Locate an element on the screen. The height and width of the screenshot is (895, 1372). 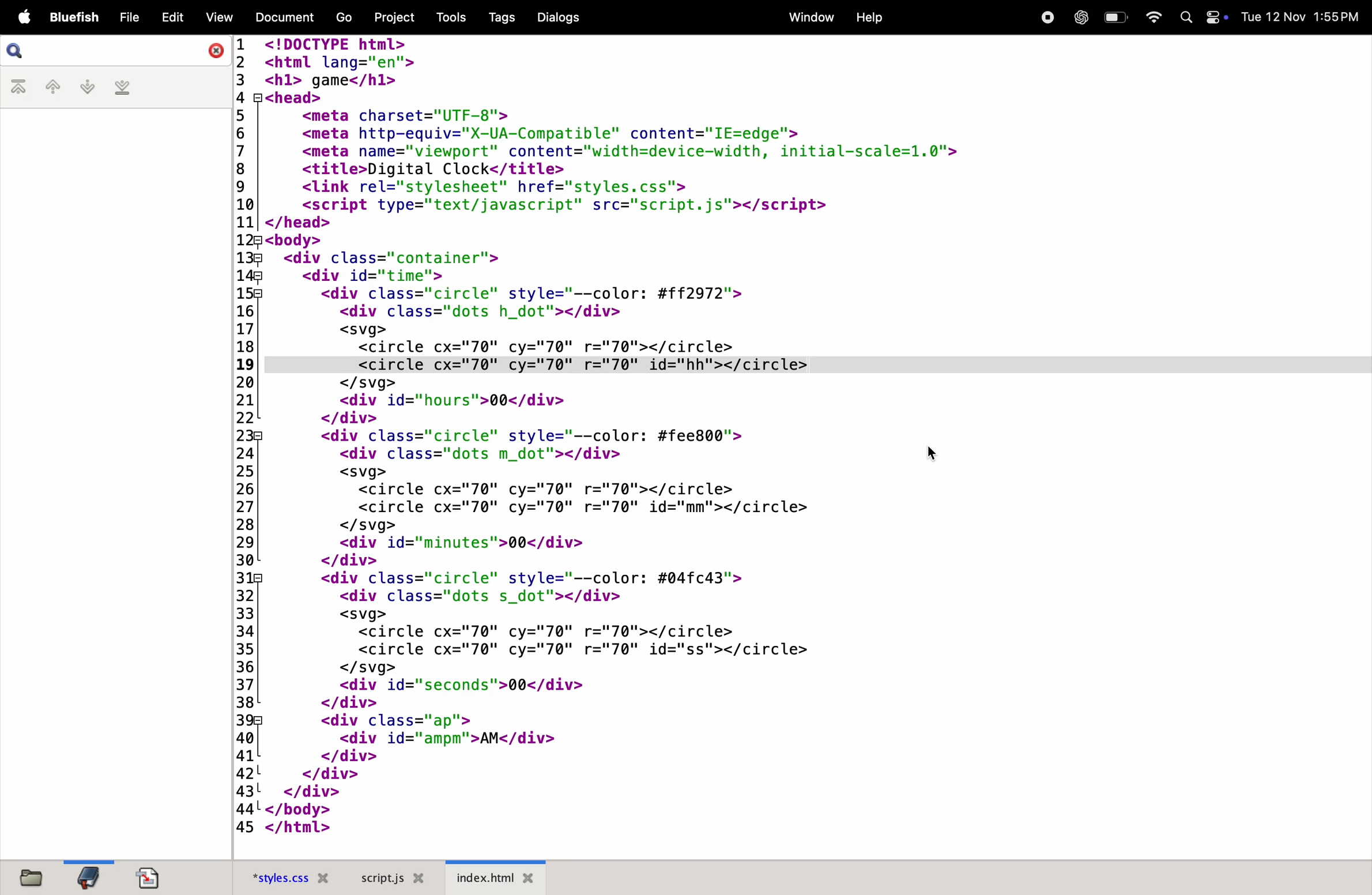
spotlight is located at coordinates (1183, 16).